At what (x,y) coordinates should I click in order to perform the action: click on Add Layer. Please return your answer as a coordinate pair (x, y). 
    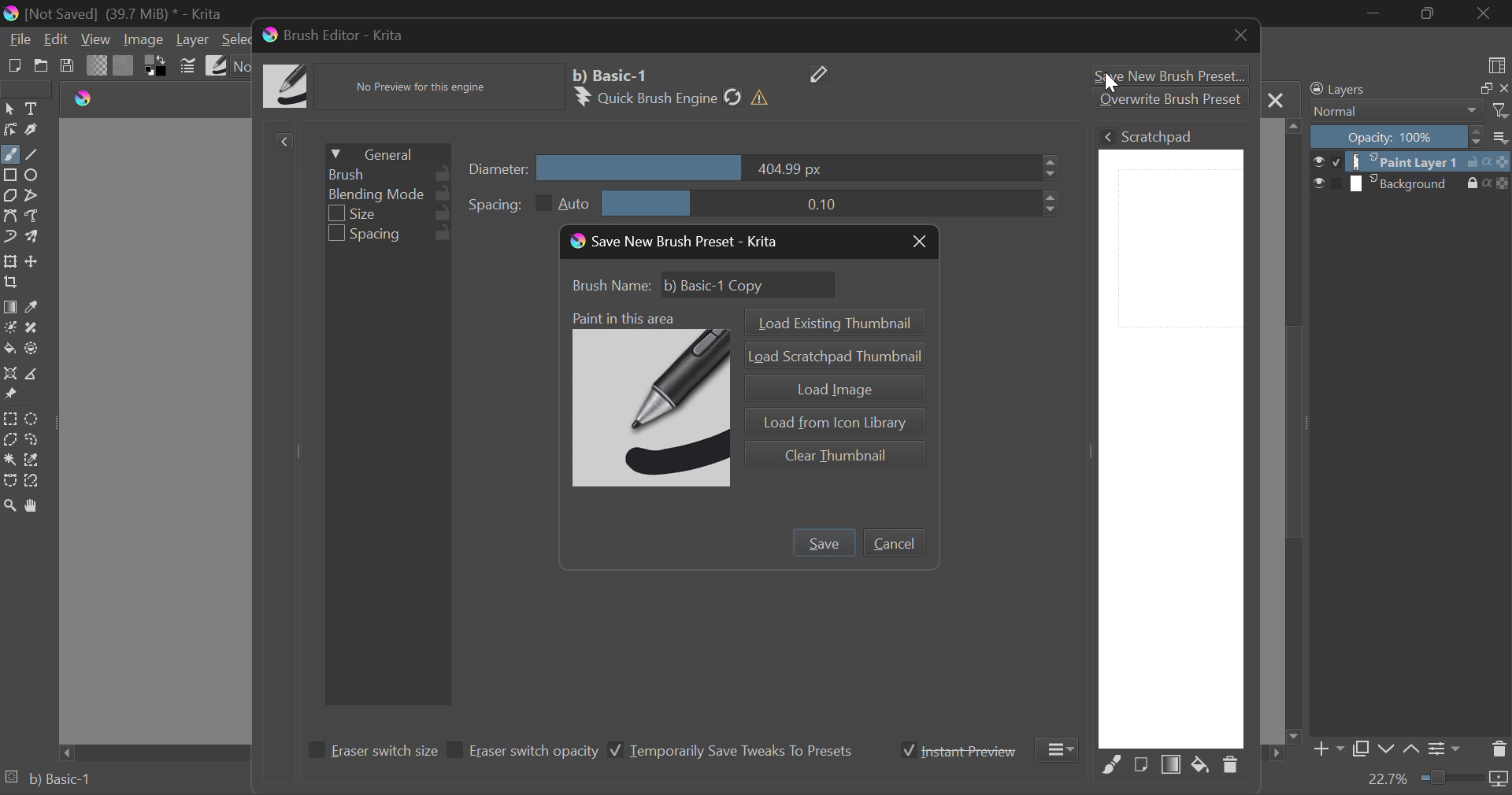
    Looking at the image, I should click on (1328, 749).